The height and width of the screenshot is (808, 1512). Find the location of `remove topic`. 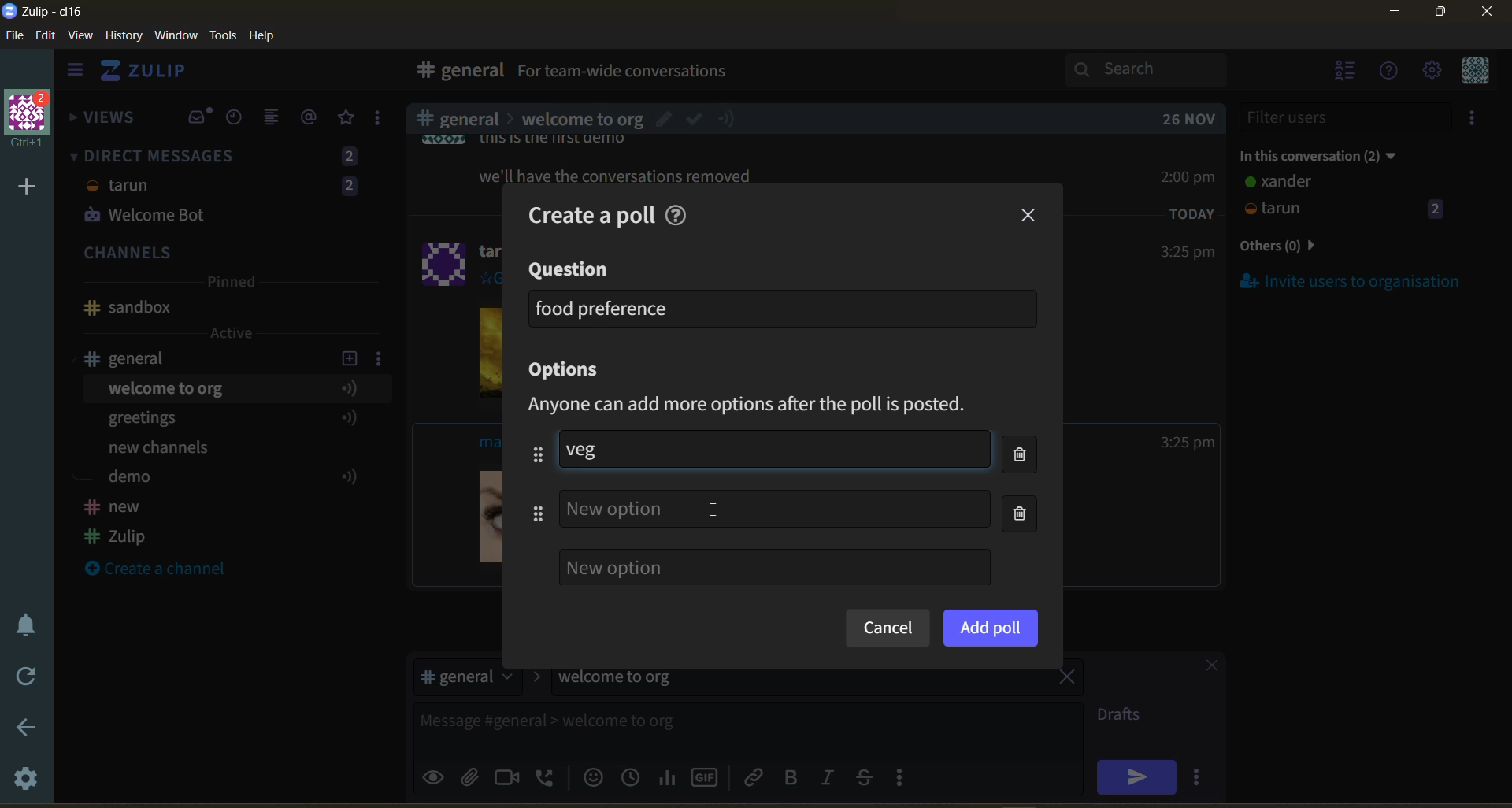

remove topic is located at coordinates (1067, 679).